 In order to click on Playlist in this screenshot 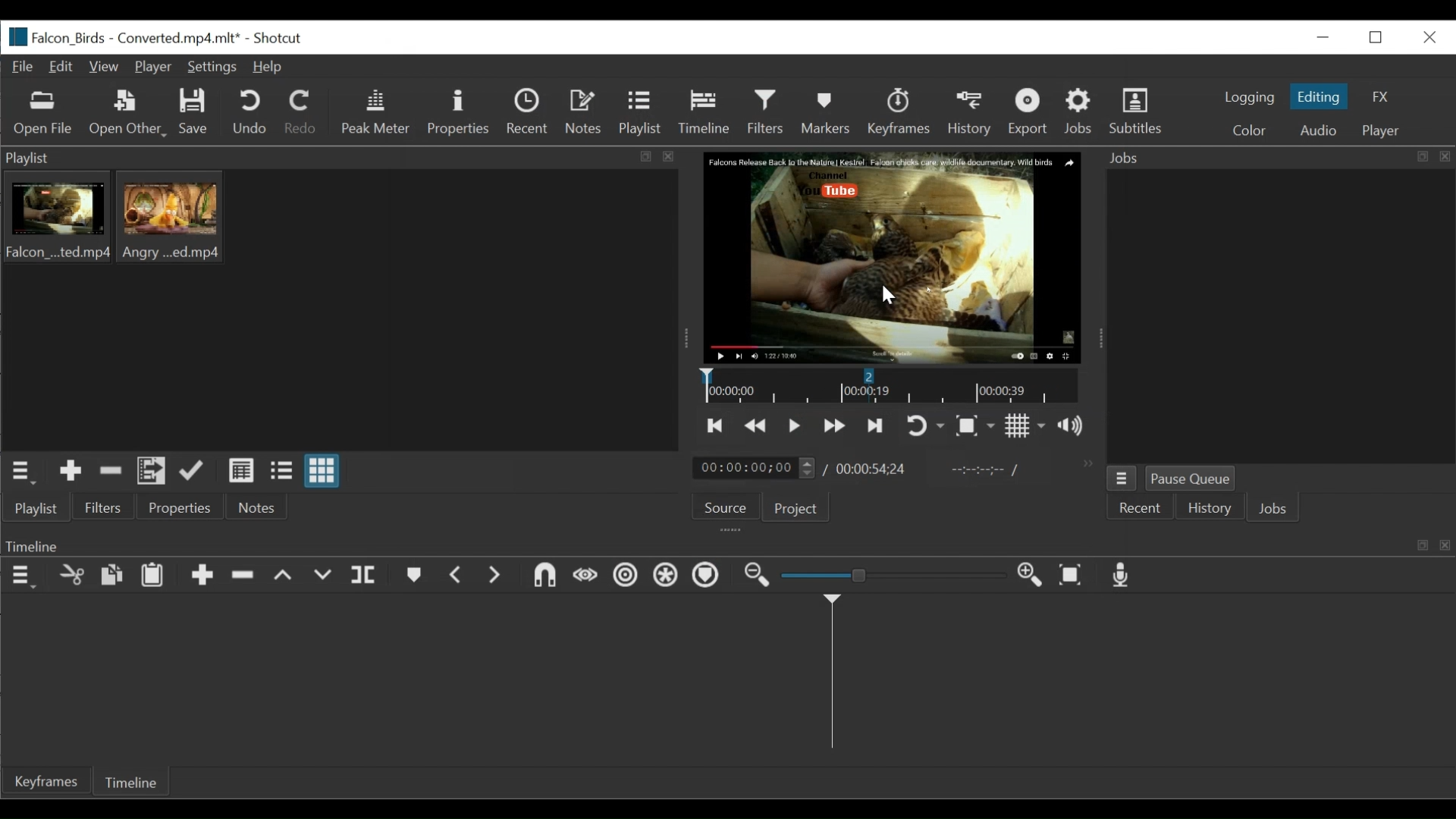, I will do `click(639, 114)`.